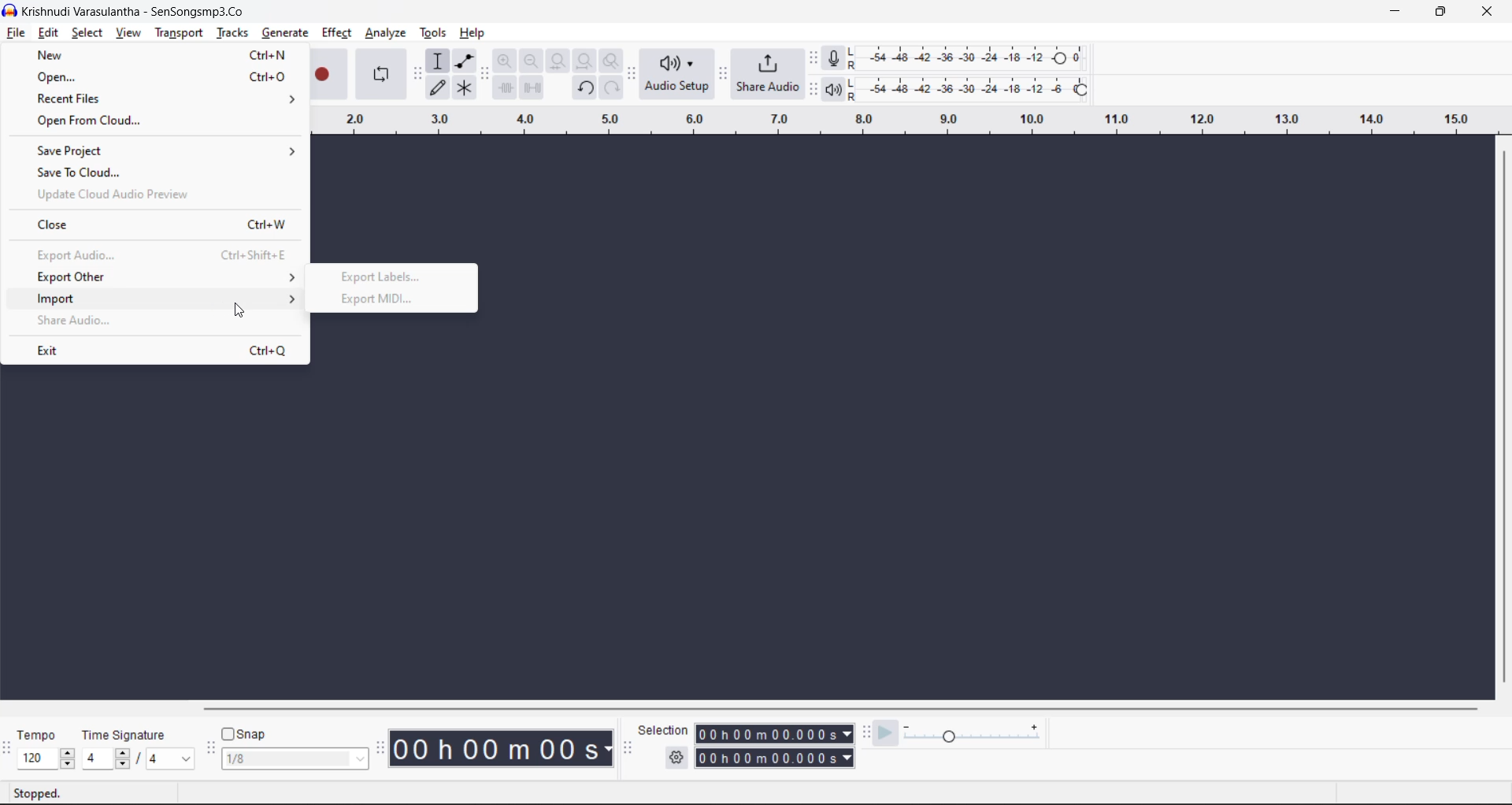  I want to click on playback speed, so click(973, 731).